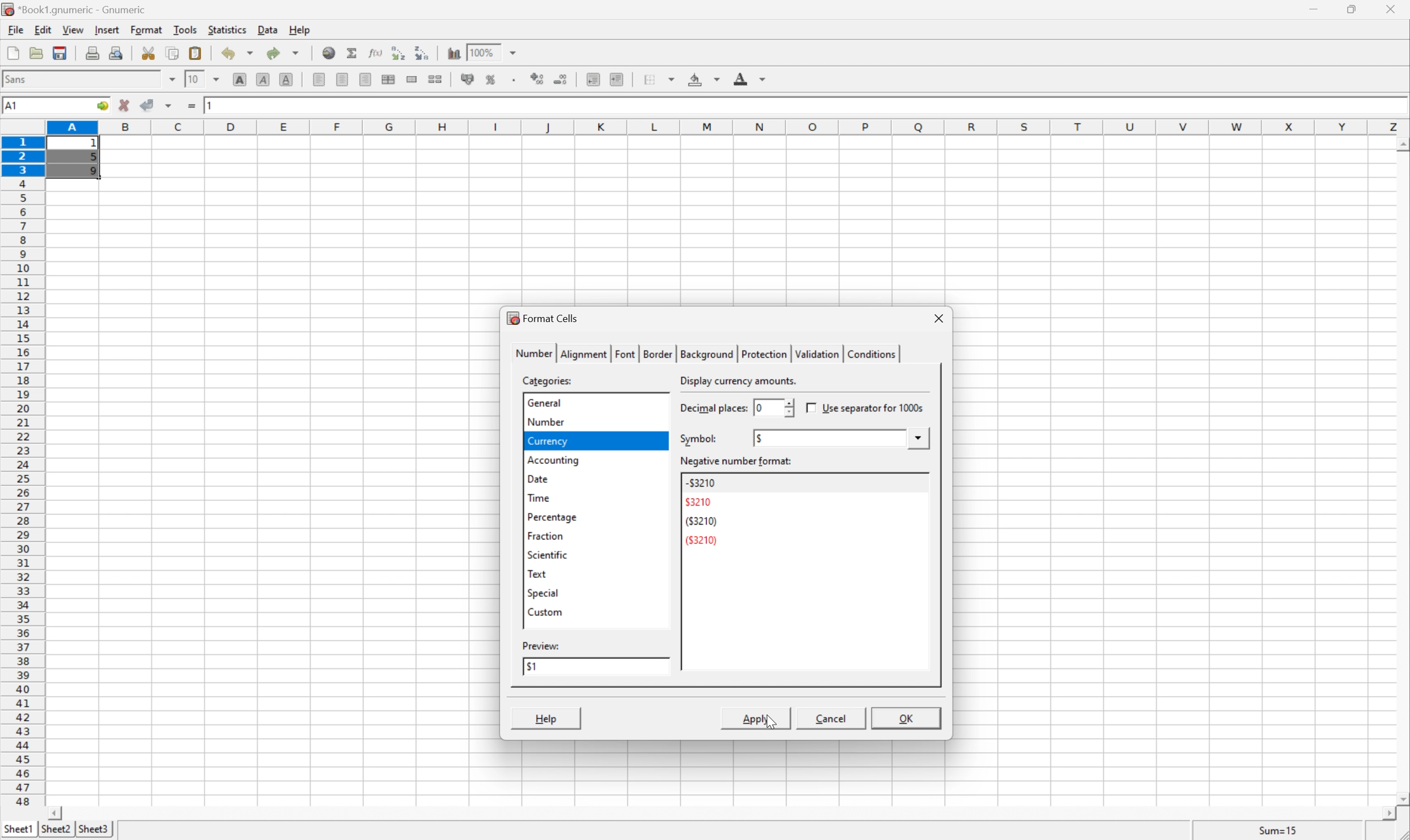 The image size is (1410, 840). Describe the element at coordinates (700, 483) in the screenshot. I see `-3210` at that location.